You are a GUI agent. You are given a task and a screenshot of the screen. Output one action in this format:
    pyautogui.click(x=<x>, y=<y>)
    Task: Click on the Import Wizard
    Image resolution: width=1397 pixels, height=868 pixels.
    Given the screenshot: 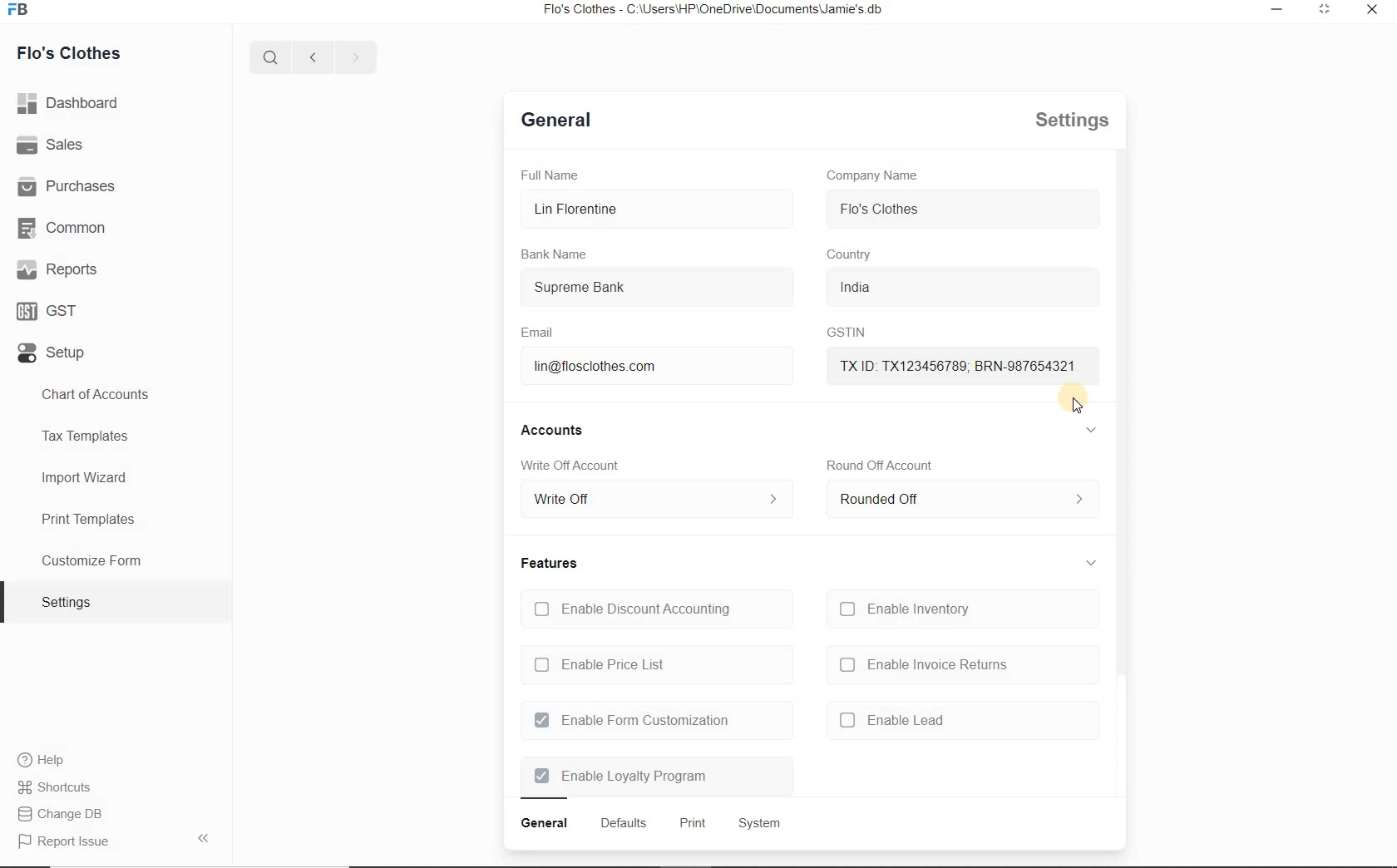 What is the action you would take?
    pyautogui.click(x=86, y=479)
    